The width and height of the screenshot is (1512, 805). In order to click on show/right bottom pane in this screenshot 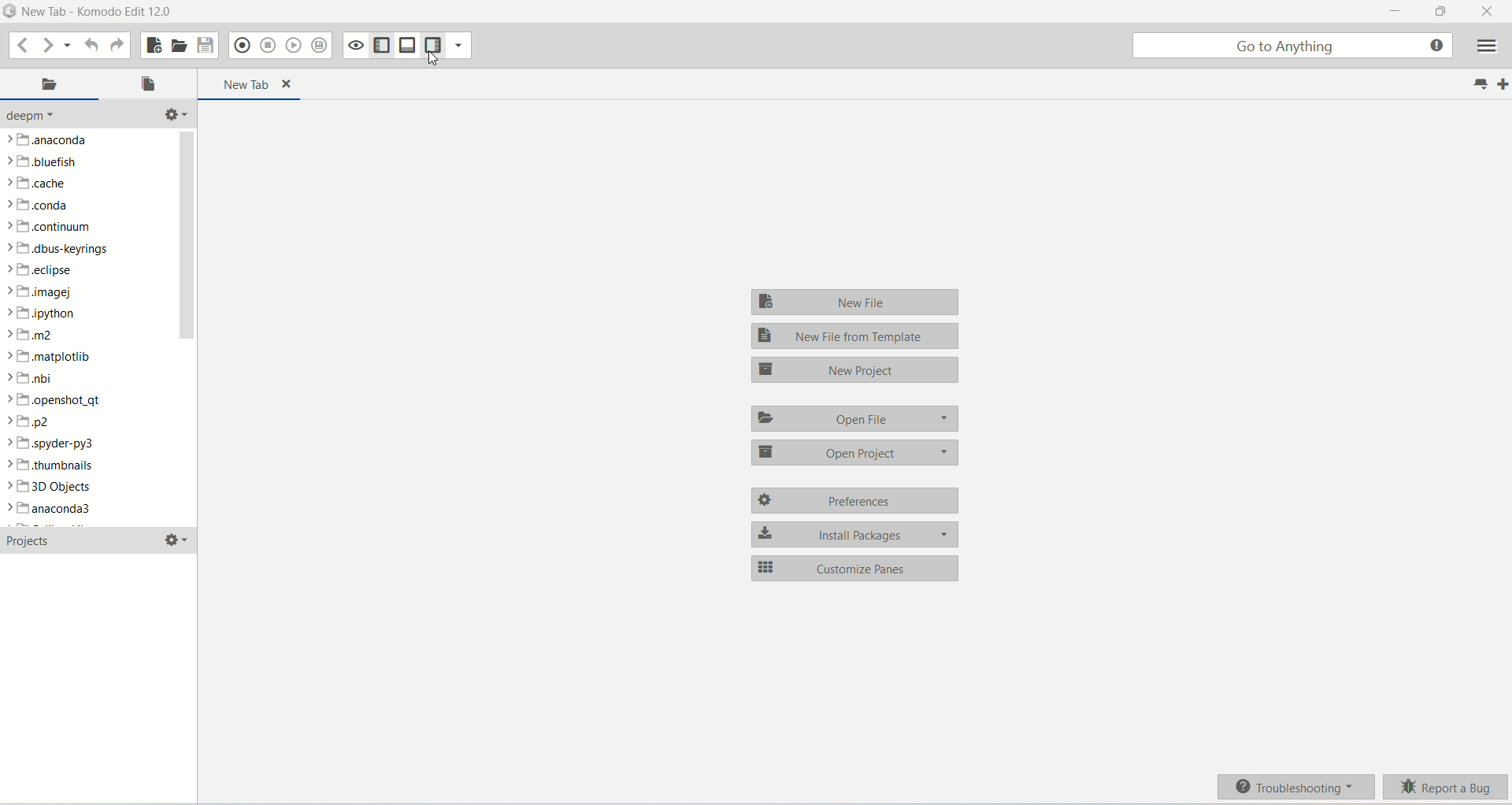, I will do `click(407, 46)`.